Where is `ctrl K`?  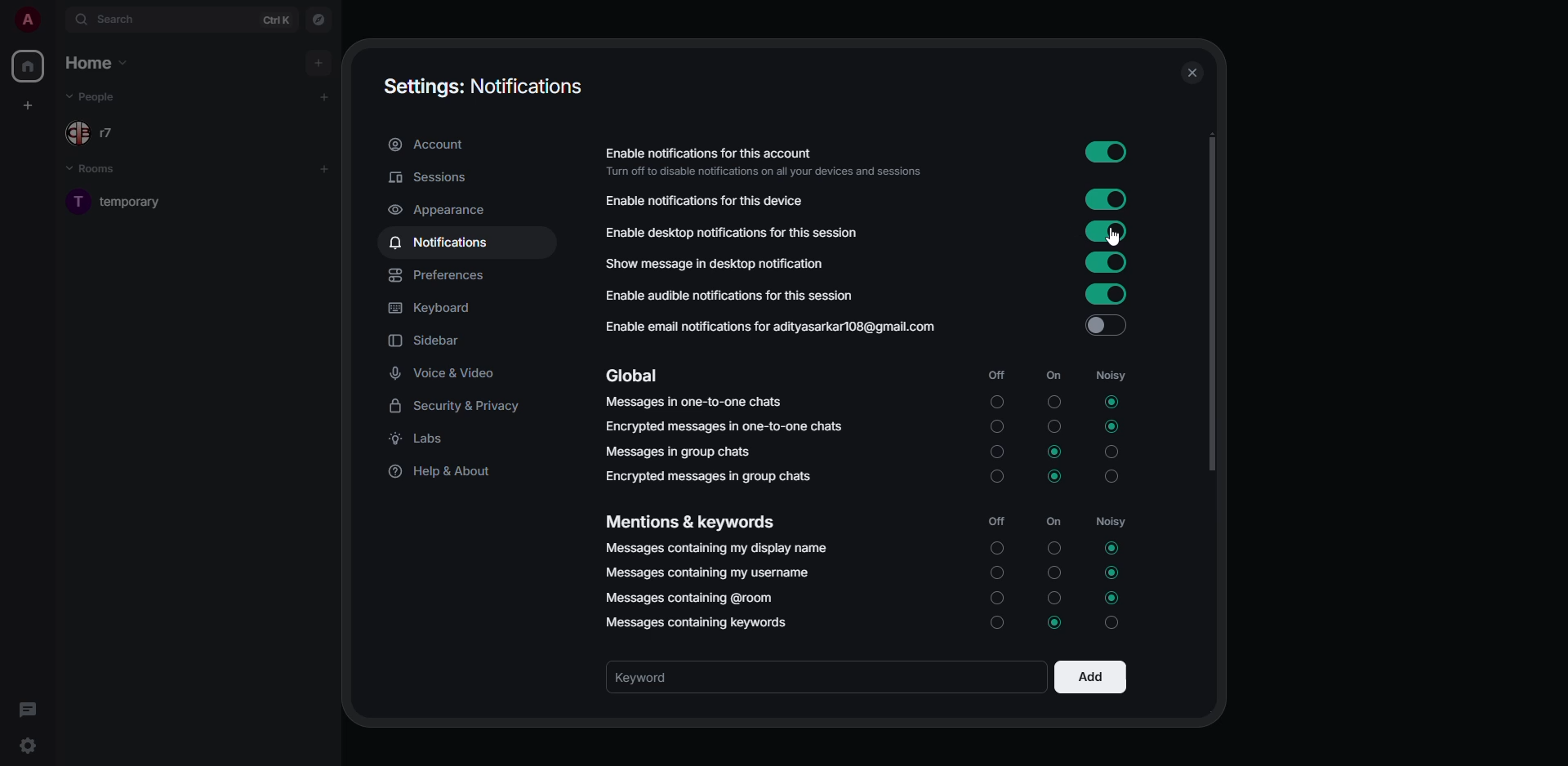 ctrl K is located at coordinates (277, 20).